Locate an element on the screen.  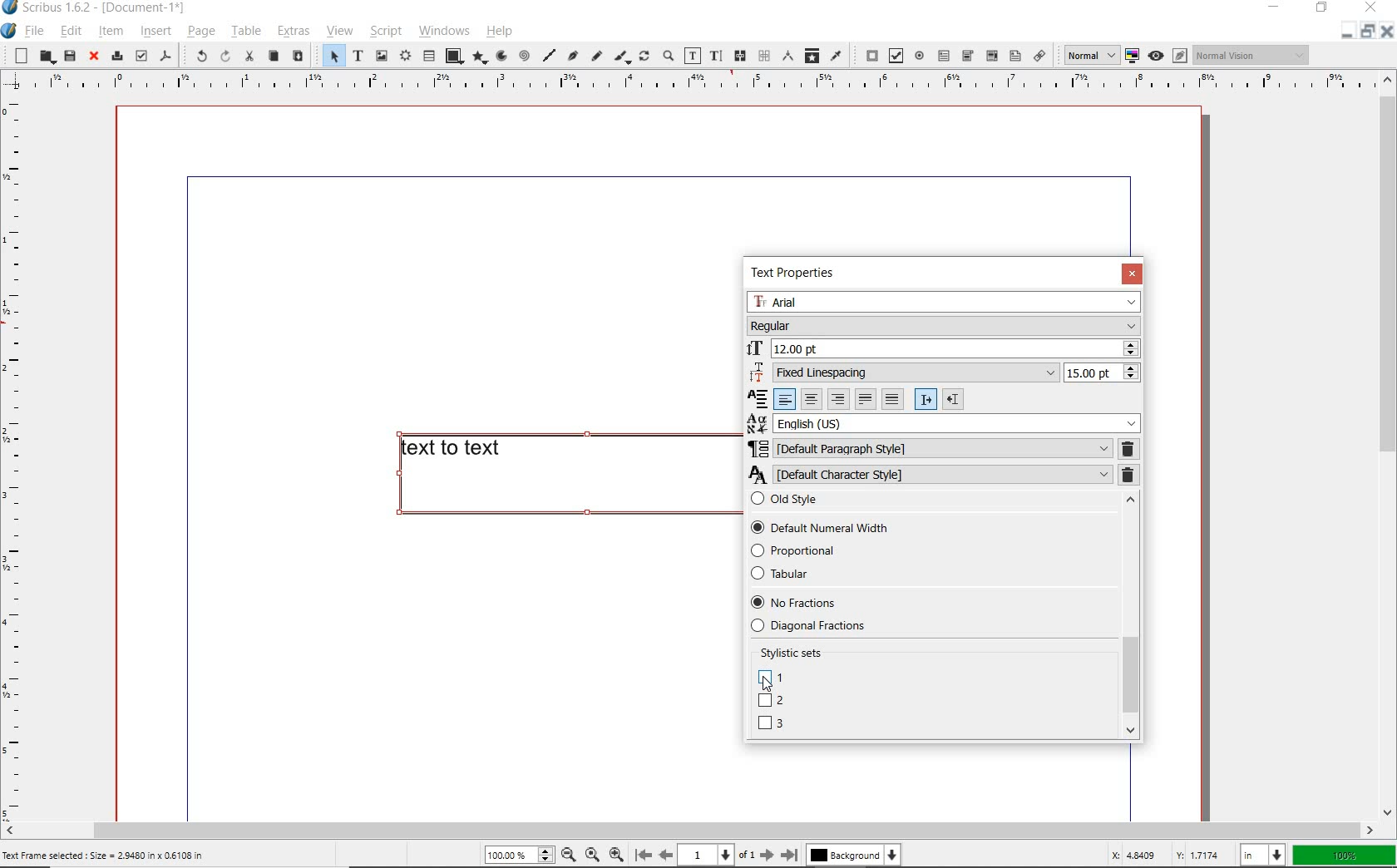
REMOVE is located at coordinates (1129, 462).